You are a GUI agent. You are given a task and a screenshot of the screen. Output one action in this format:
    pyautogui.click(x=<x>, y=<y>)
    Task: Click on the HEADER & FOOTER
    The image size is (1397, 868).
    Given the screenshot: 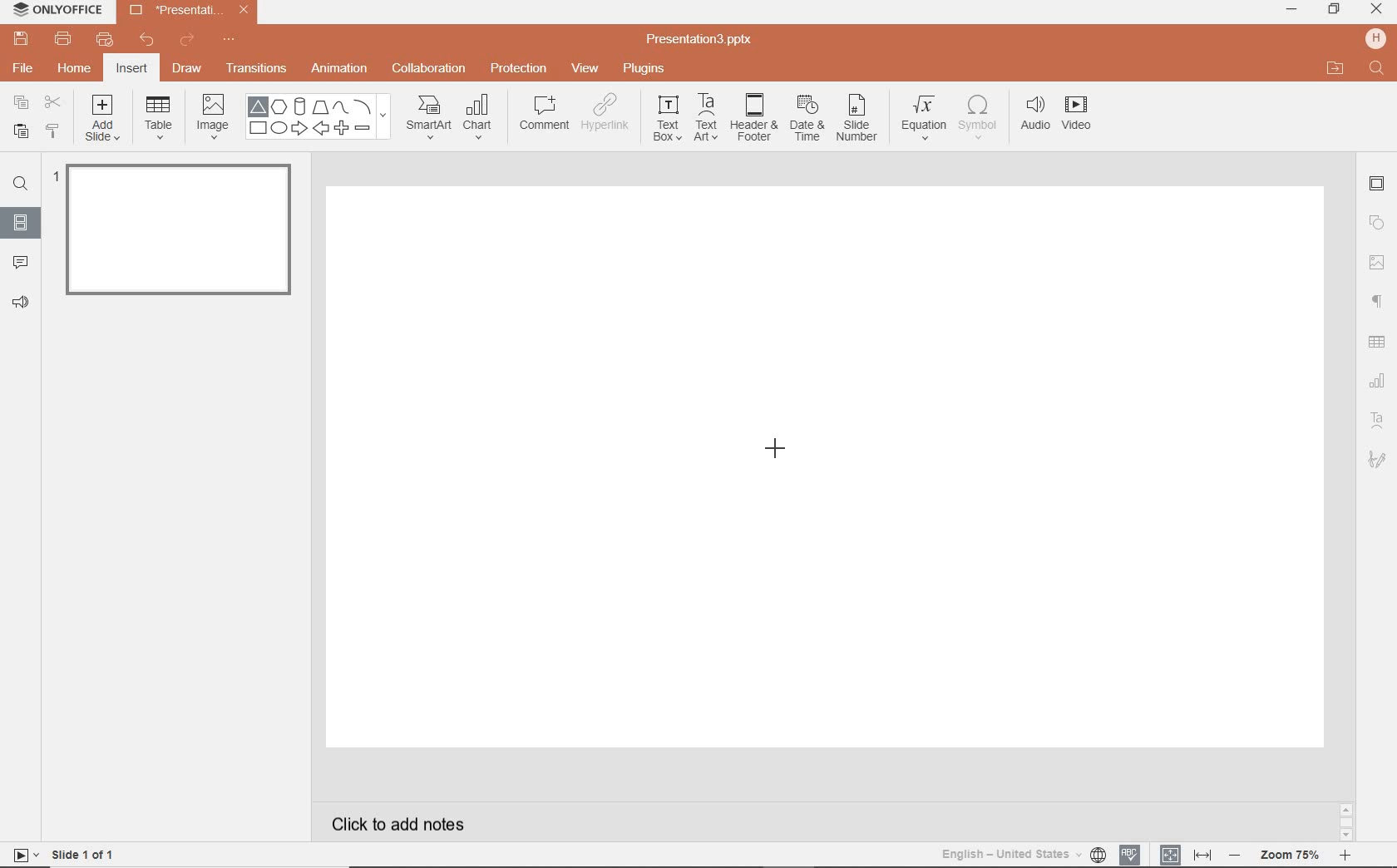 What is the action you would take?
    pyautogui.click(x=753, y=117)
    